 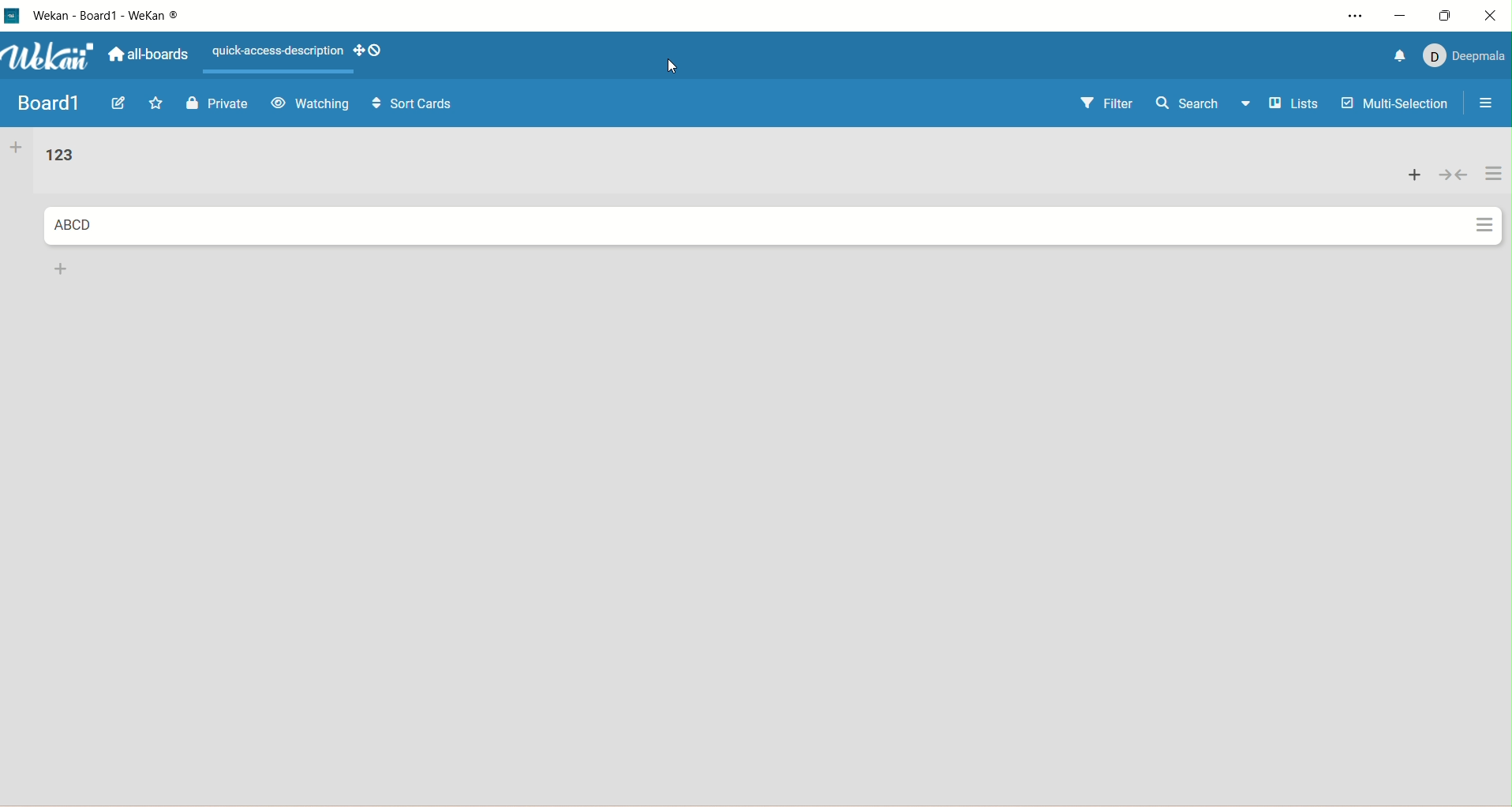 What do you see at coordinates (1494, 199) in the screenshot?
I see `options` at bounding box center [1494, 199].